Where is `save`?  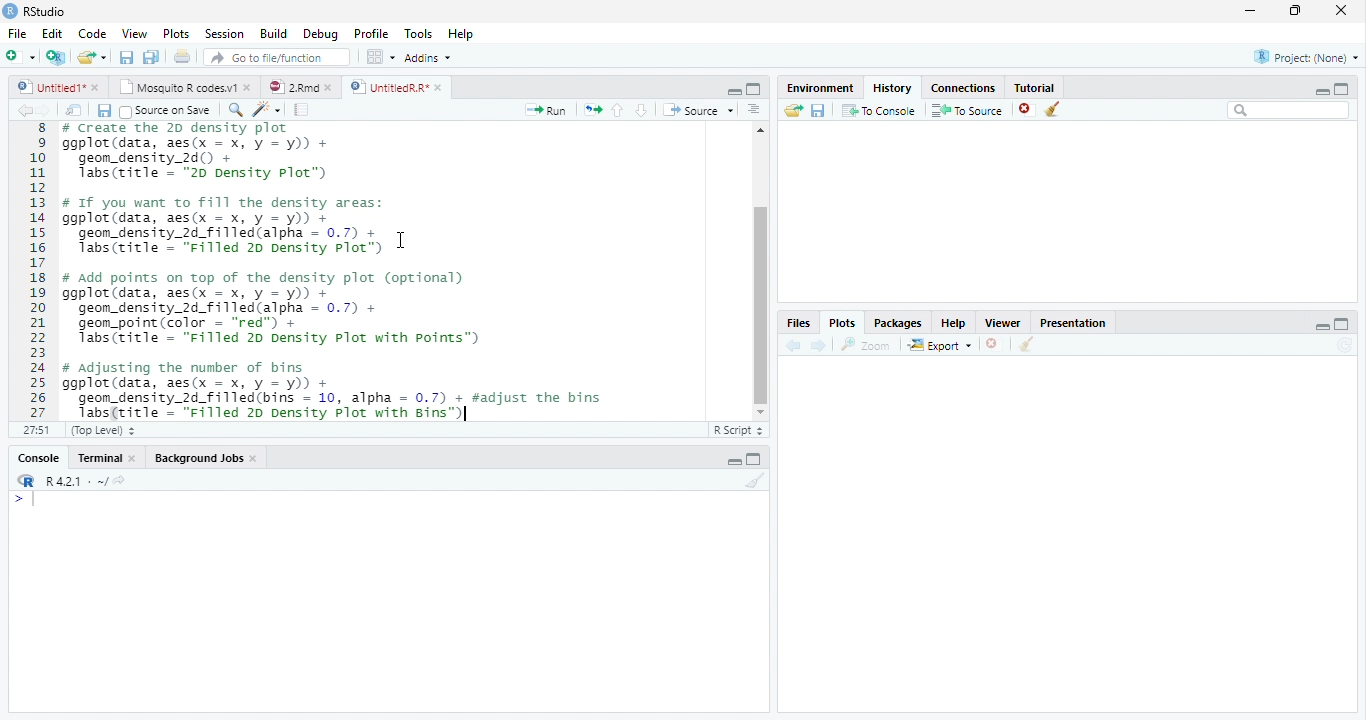
save is located at coordinates (104, 111).